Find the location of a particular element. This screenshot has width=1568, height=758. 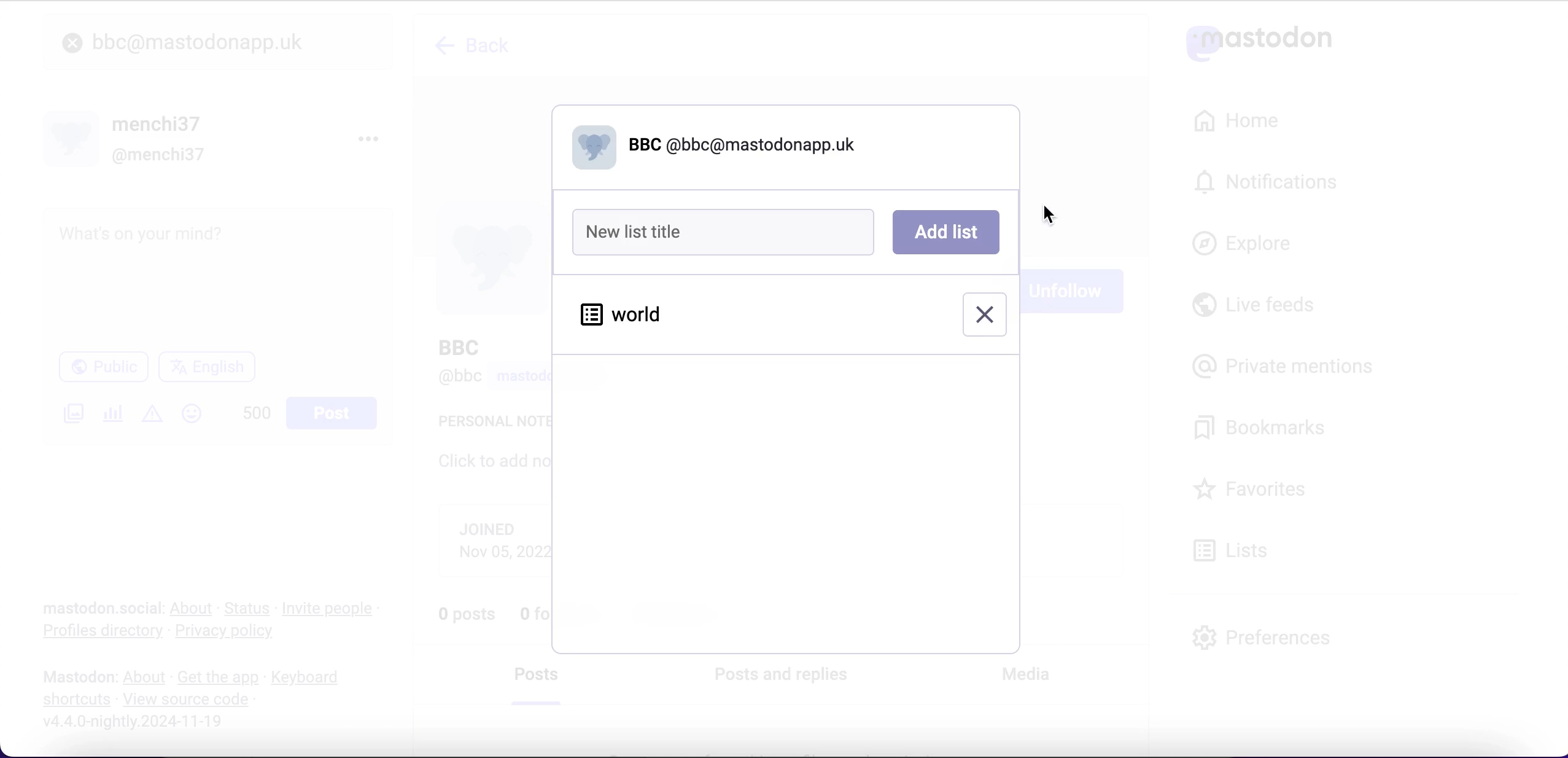

user search is located at coordinates (217, 42).